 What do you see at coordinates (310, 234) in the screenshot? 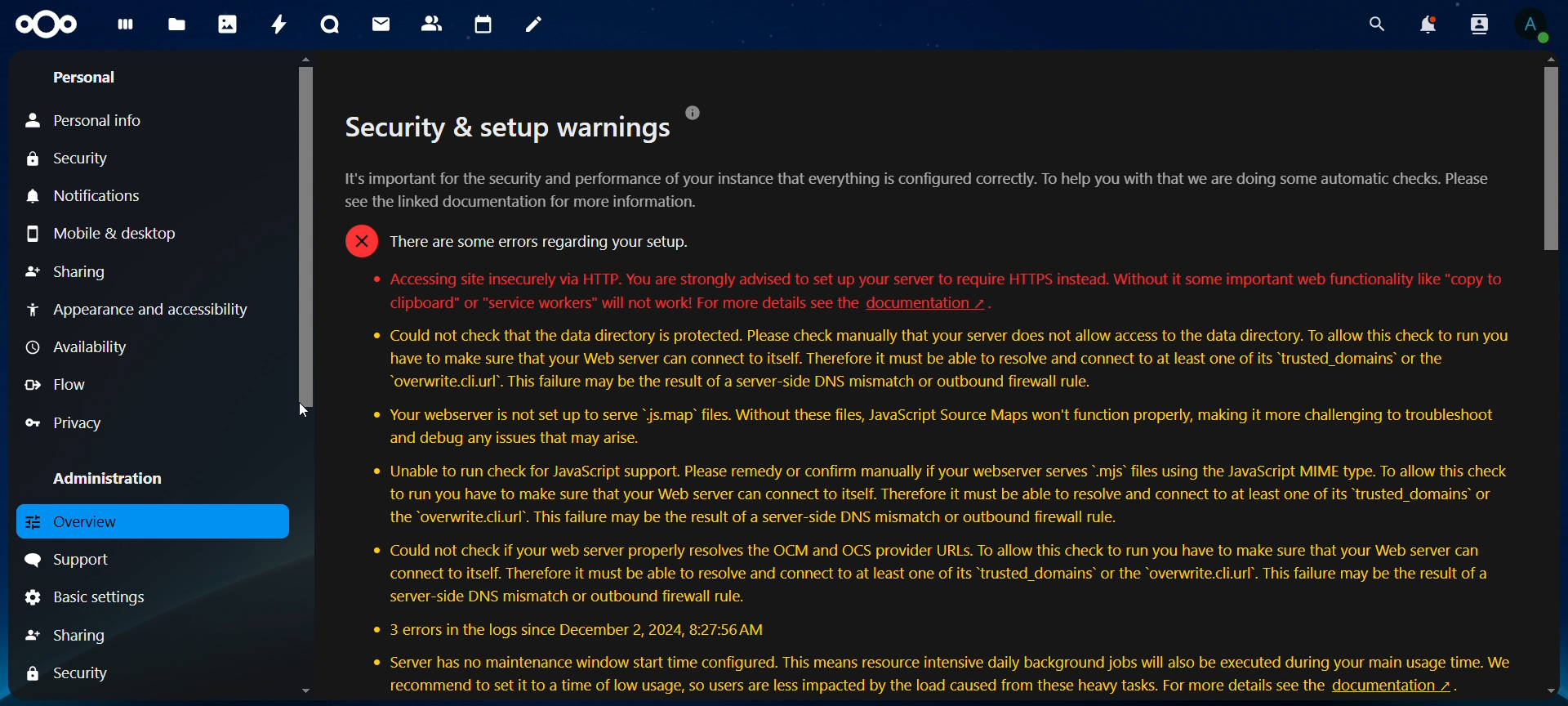
I see `scrollbar` at bounding box center [310, 234].